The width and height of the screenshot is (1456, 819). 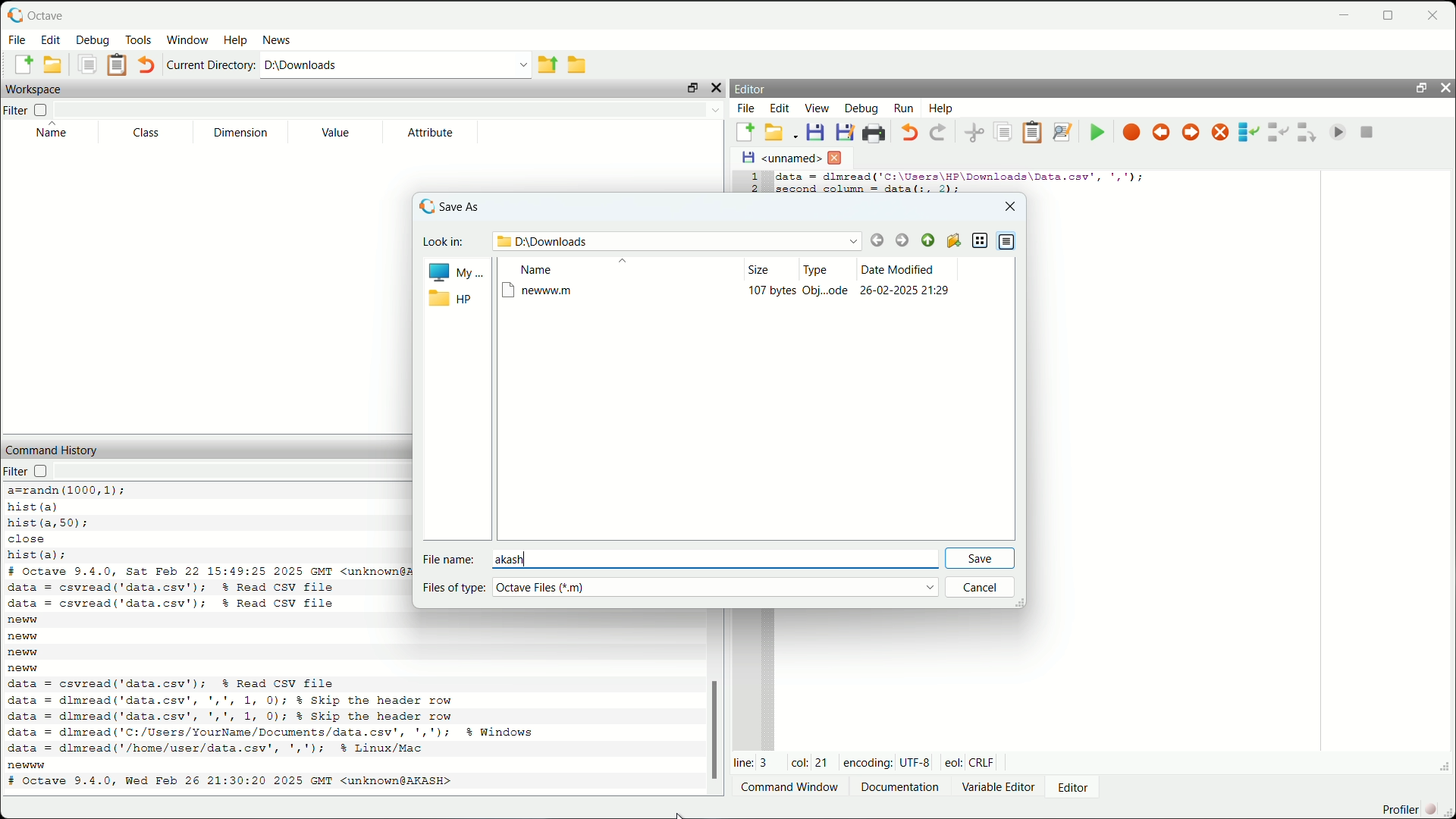 I want to click on code to read csv, so click(x=197, y=595).